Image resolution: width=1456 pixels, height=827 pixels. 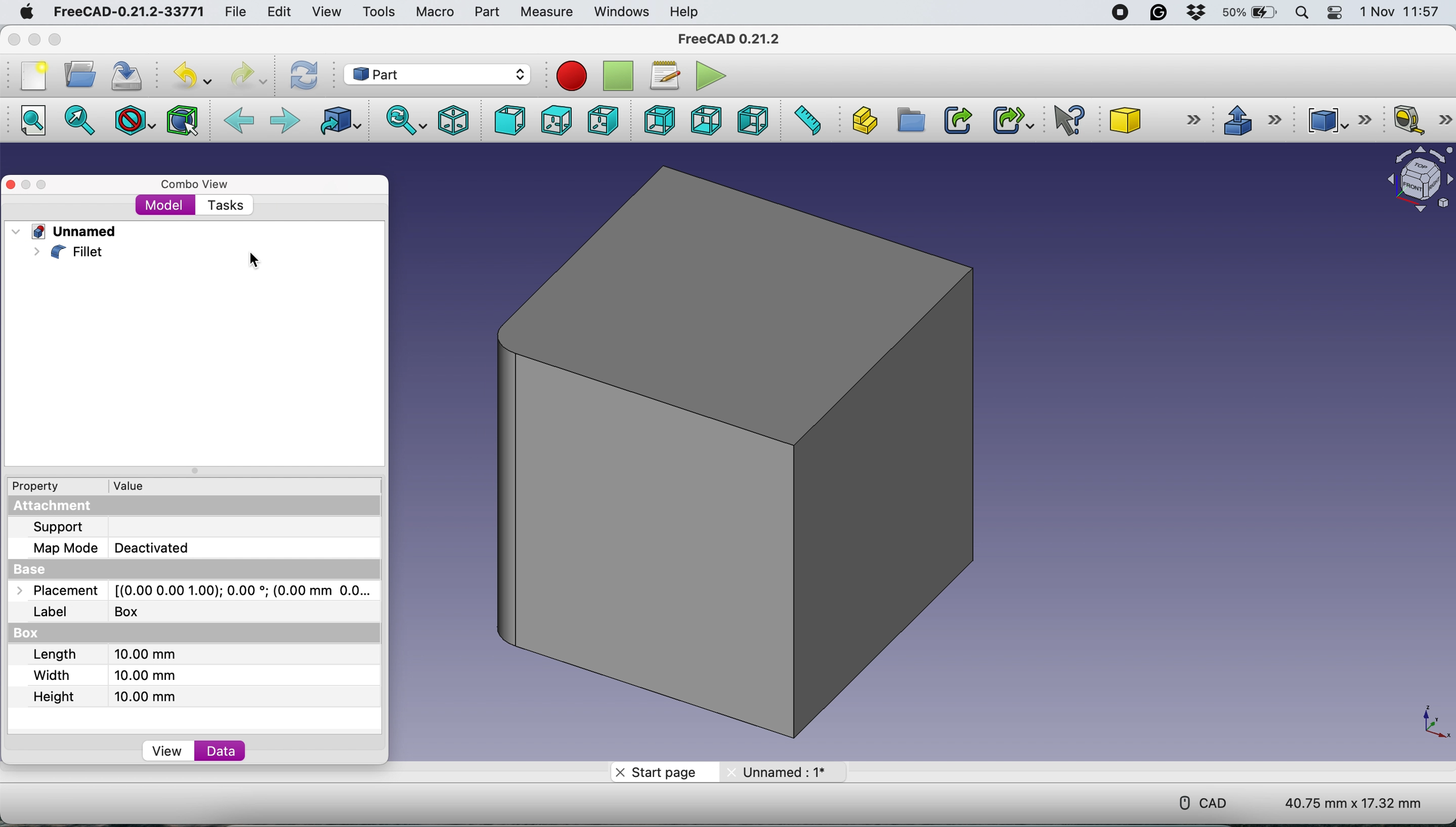 I want to click on cursor, so click(x=257, y=262).